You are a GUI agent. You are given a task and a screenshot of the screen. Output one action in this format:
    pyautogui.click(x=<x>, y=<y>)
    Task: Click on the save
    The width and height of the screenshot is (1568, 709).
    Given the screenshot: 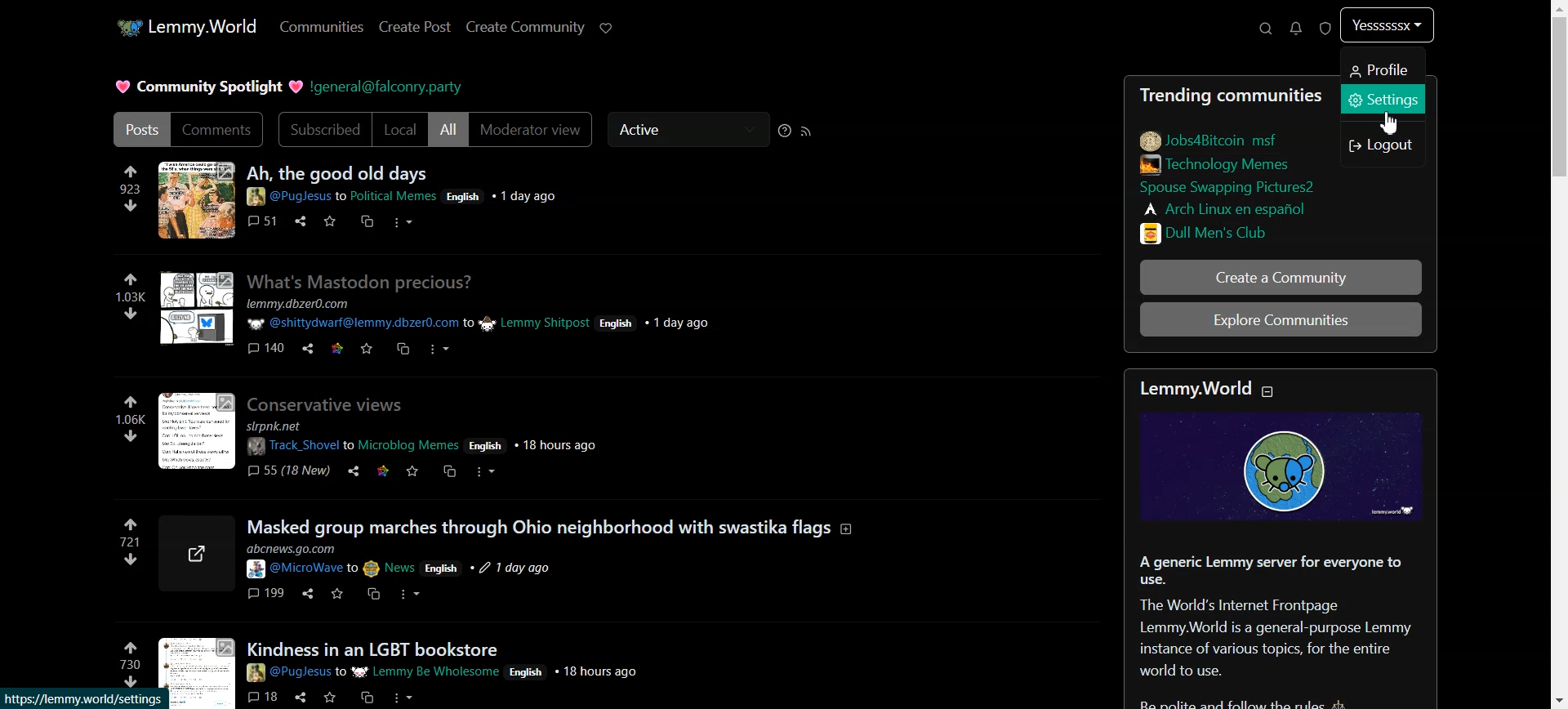 What is the action you would take?
    pyautogui.click(x=330, y=697)
    